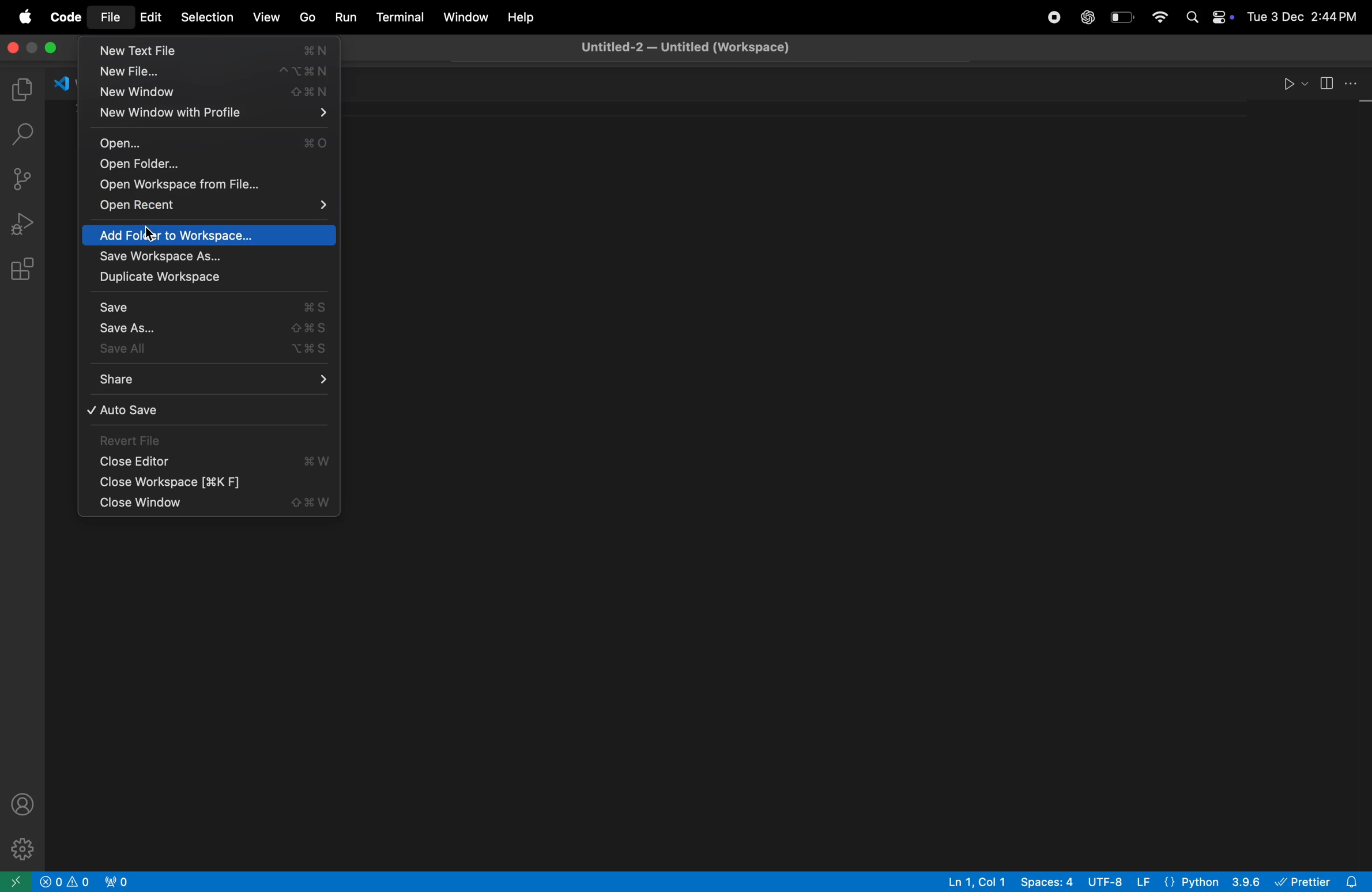 The width and height of the screenshot is (1372, 892). I want to click on apple menu, so click(26, 14).